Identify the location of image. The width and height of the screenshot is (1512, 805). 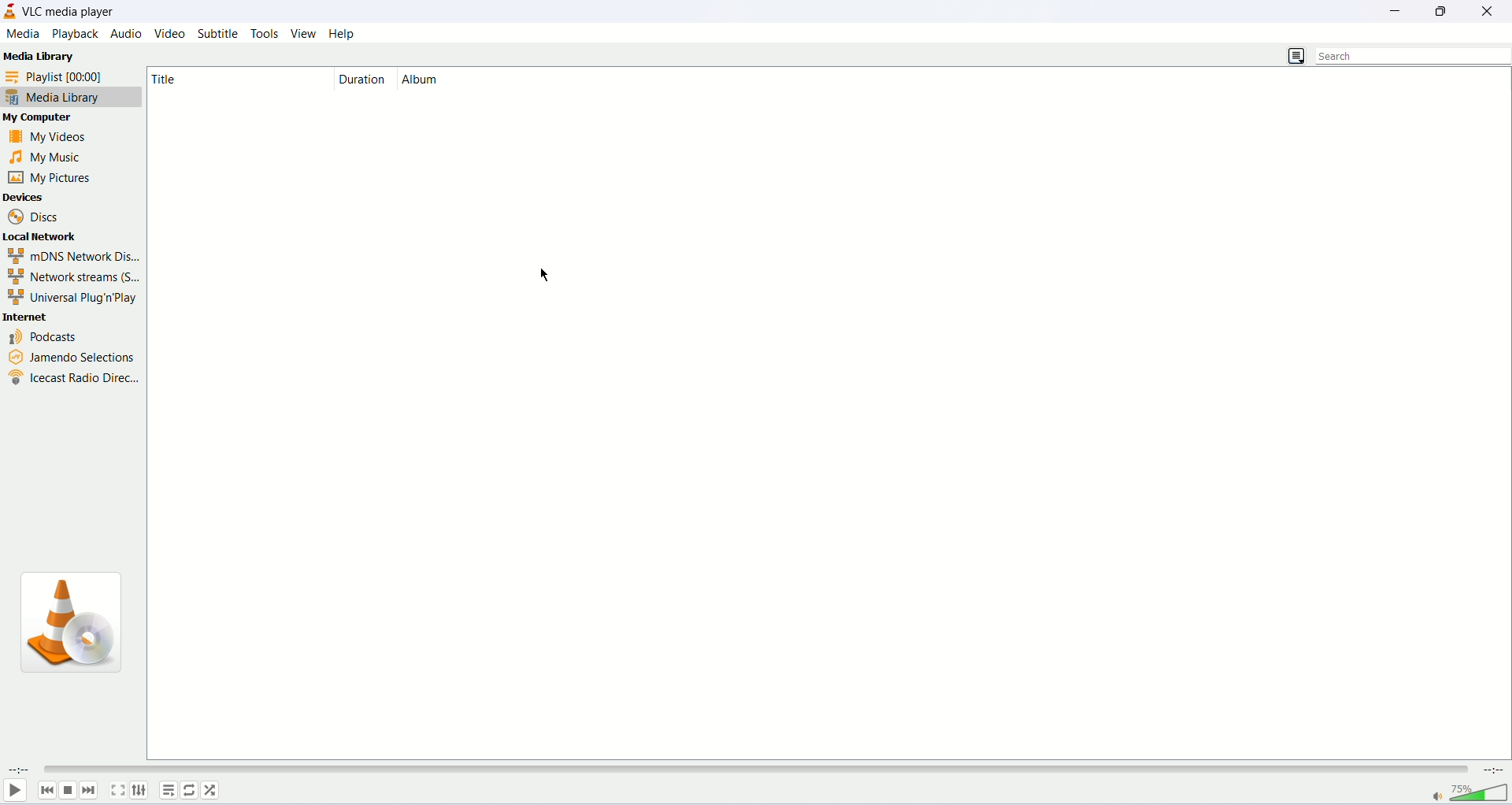
(73, 625).